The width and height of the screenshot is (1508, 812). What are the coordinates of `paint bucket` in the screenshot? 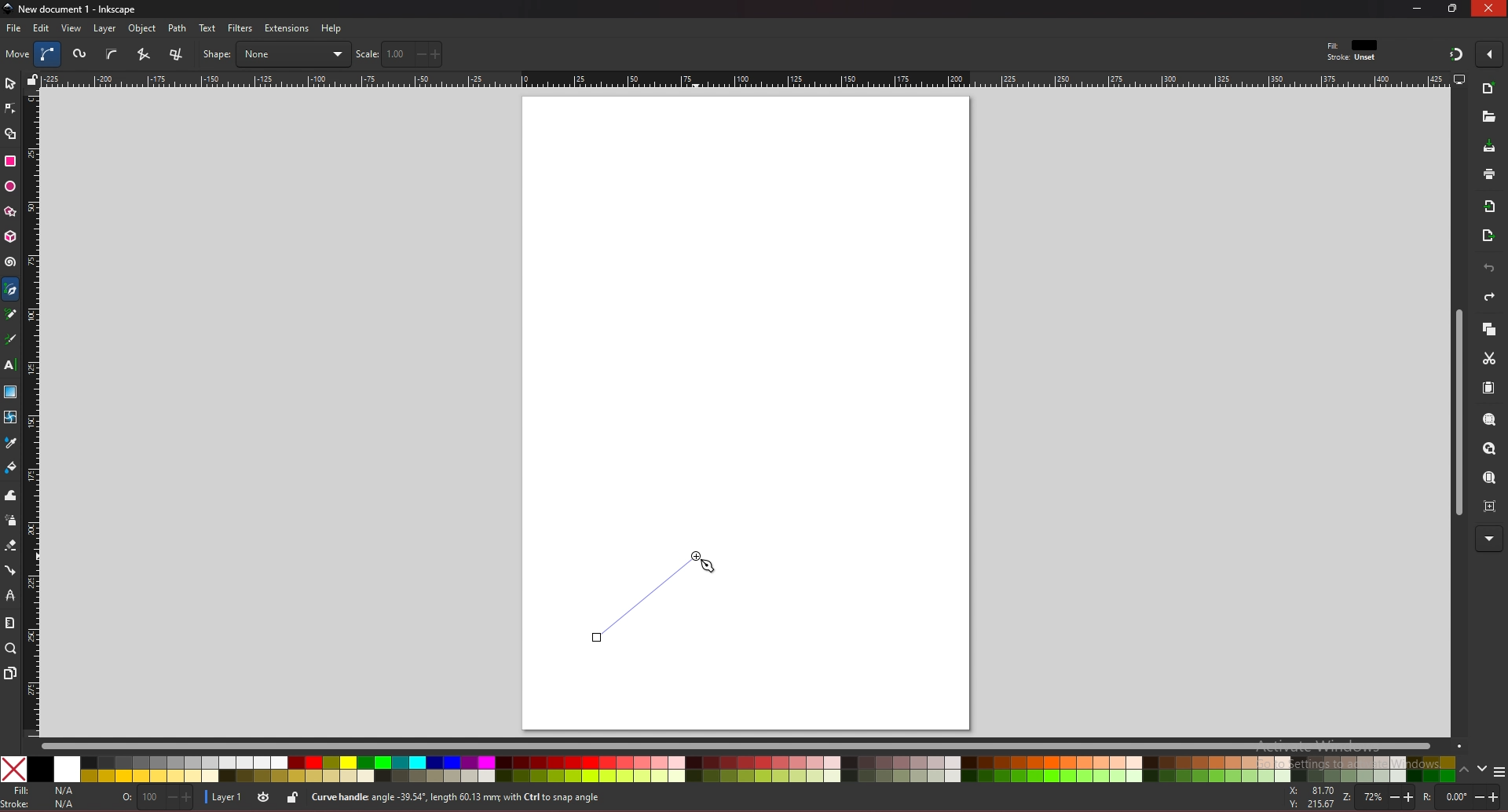 It's located at (11, 466).